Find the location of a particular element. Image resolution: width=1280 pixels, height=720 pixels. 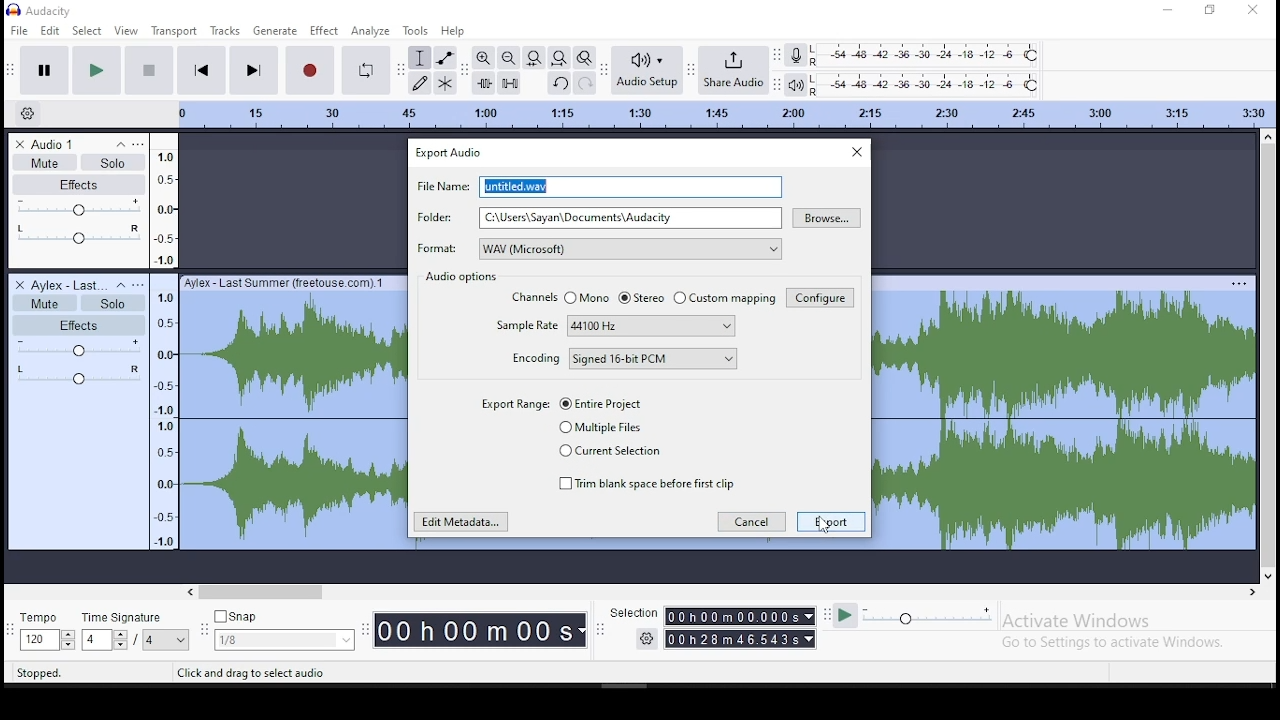

play is located at coordinates (98, 72).